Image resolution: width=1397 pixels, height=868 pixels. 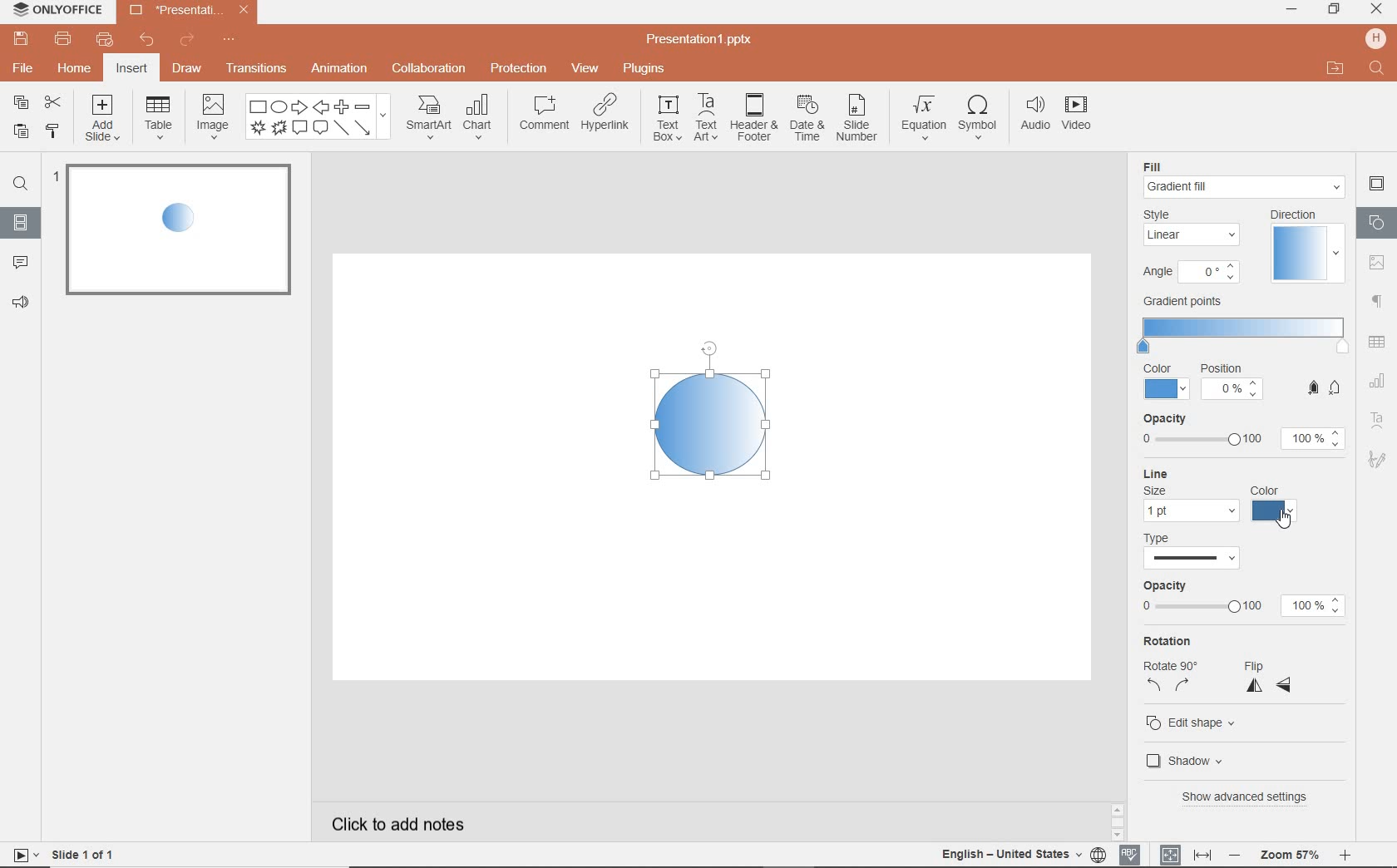 I want to click on color, so click(x=1267, y=504).